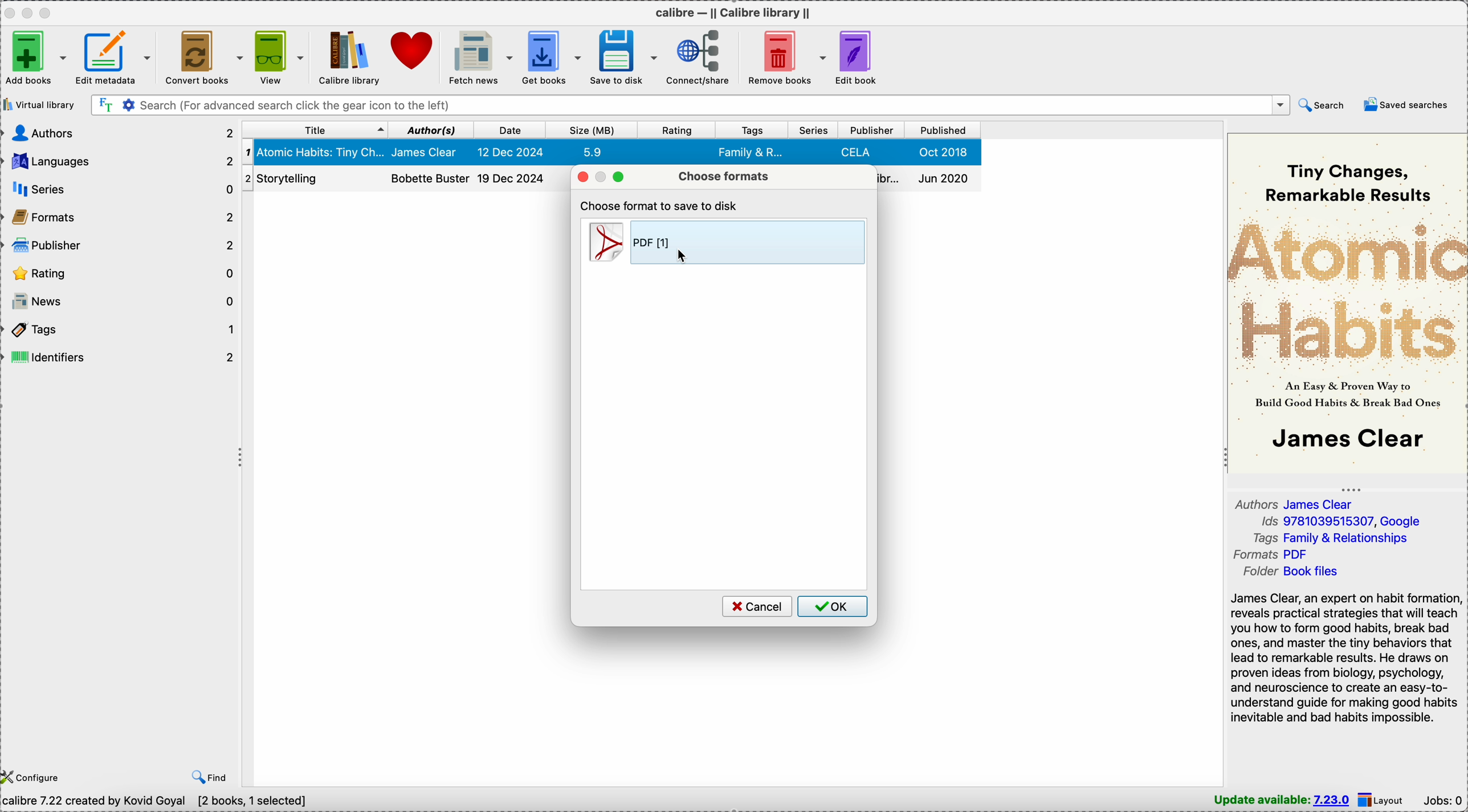 The height and width of the screenshot is (812, 1468). Describe the element at coordinates (1320, 105) in the screenshot. I see `search` at that location.